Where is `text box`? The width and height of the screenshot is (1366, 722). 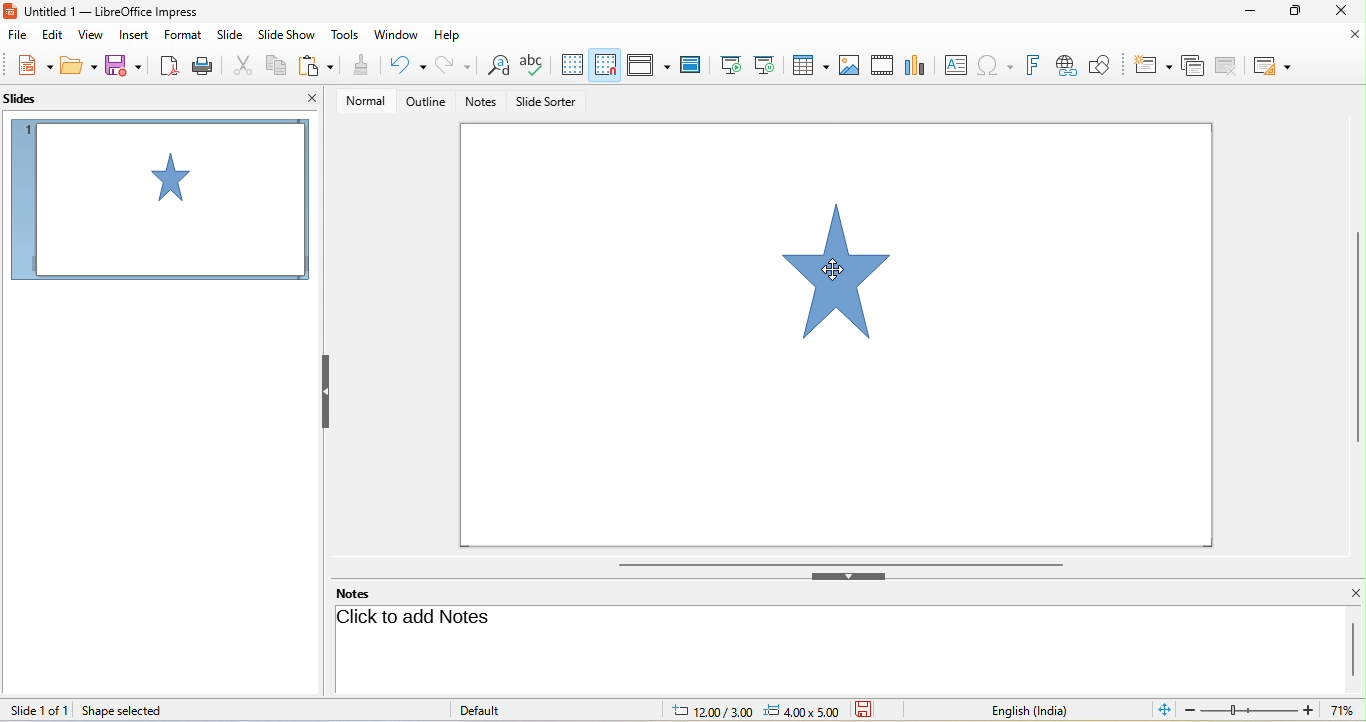 text box is located at coordinates (957, 64).